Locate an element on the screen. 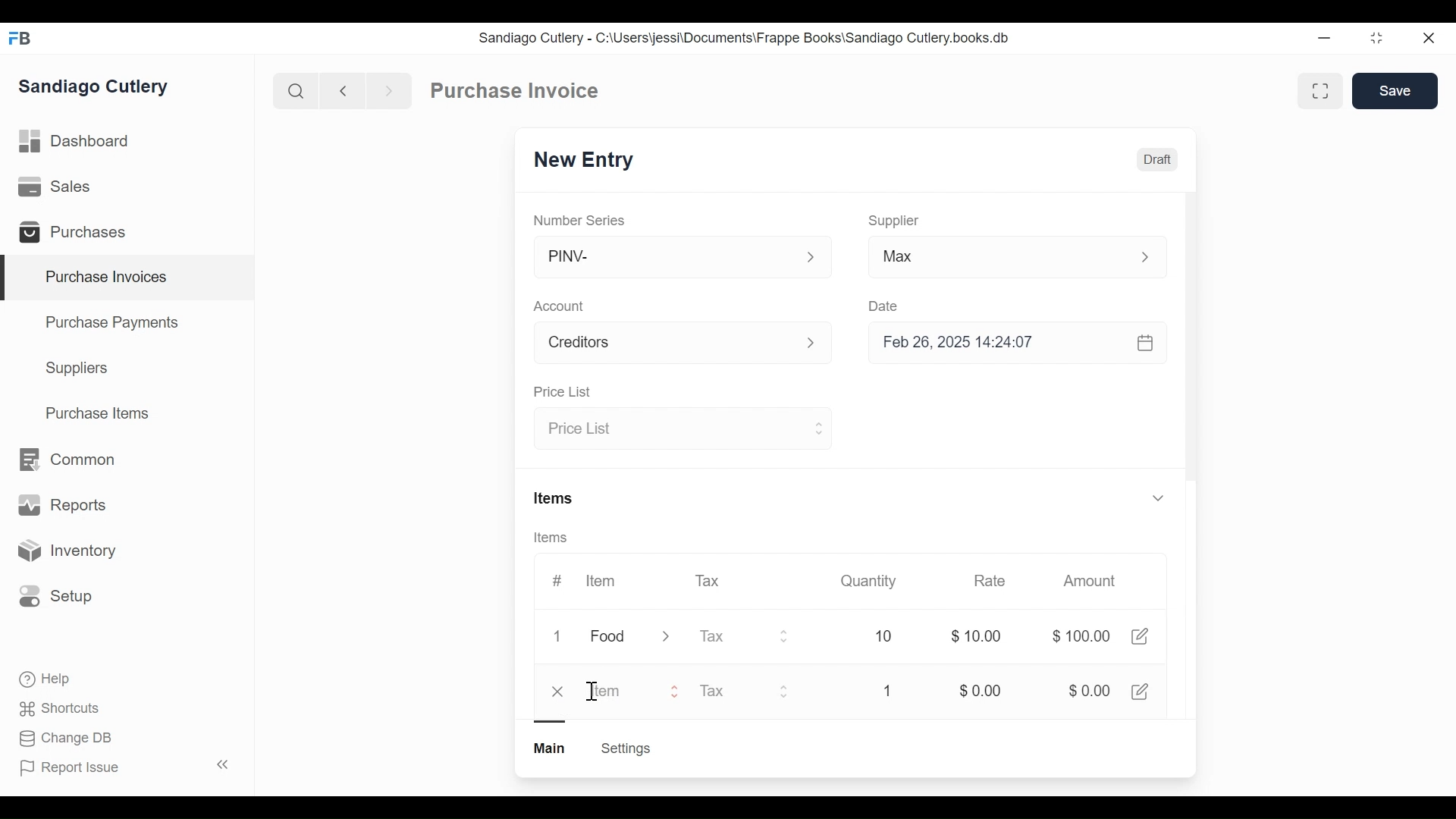 The width and height of the screenshot is (1456, 819). $0.00 is located at coordinates (980, 690).